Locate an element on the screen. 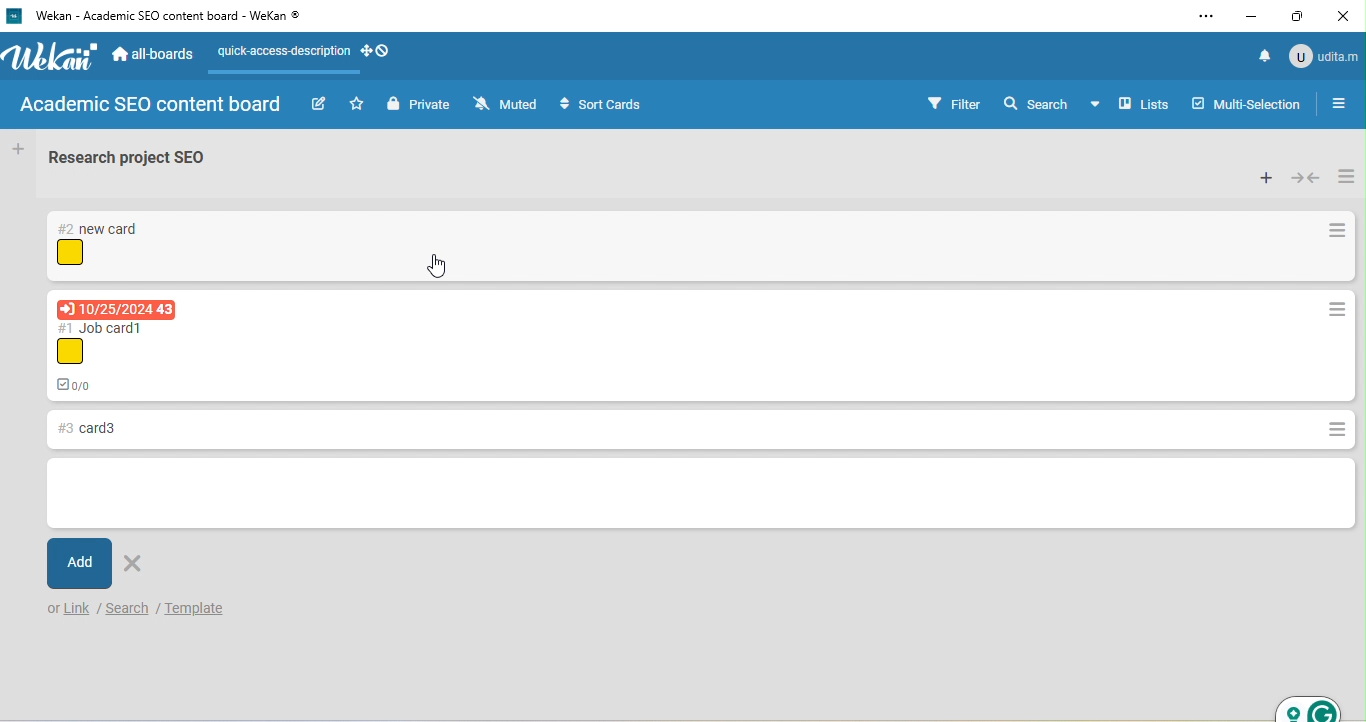  or is located at coordinates (51, 610).